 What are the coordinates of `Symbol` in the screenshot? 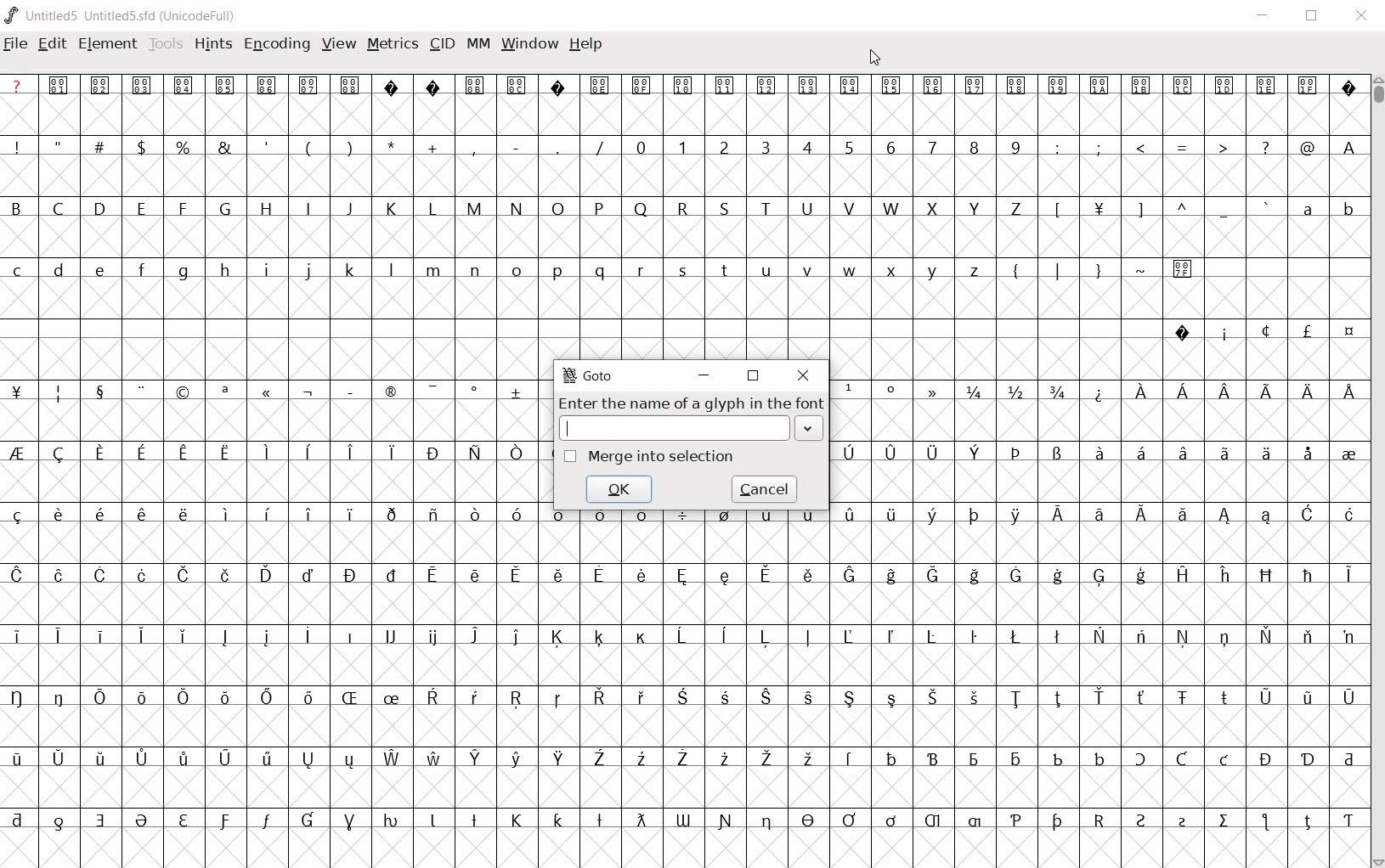 It's located at (21, 454).